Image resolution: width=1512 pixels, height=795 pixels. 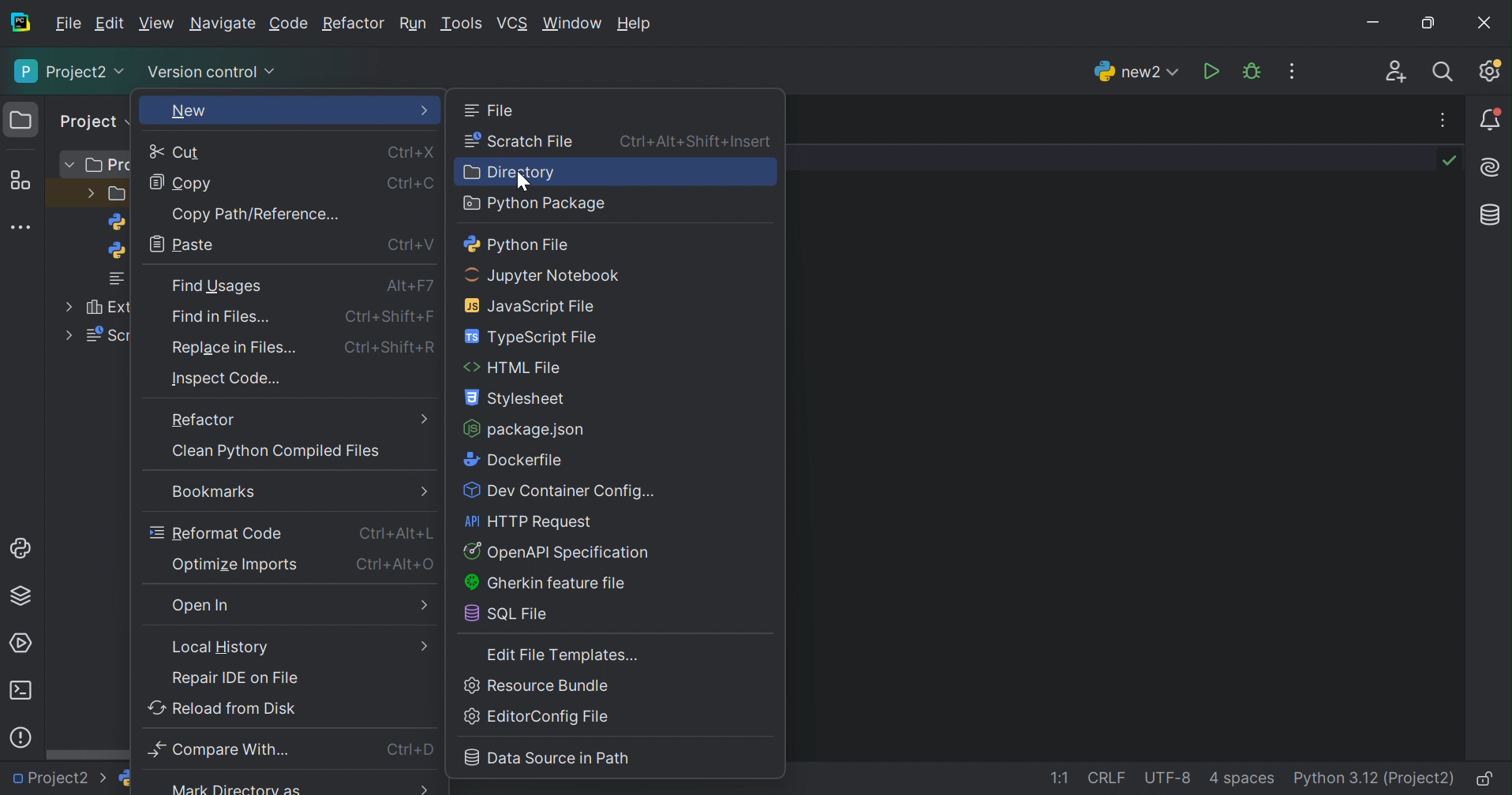 I want to click on Edit, so click(x=157, y=21).